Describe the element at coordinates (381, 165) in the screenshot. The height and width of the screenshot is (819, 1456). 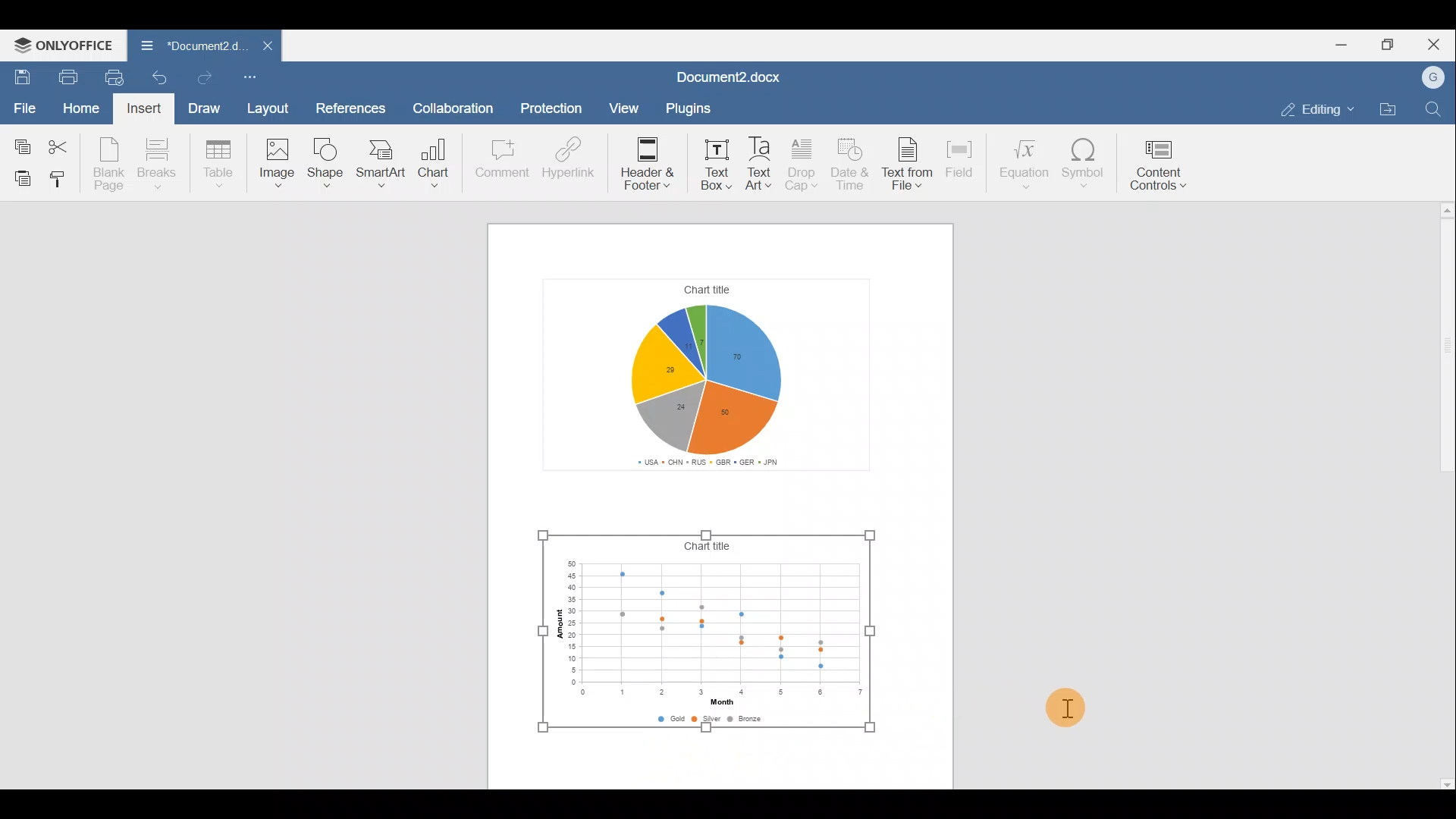
I see `SmartArt` at that location.